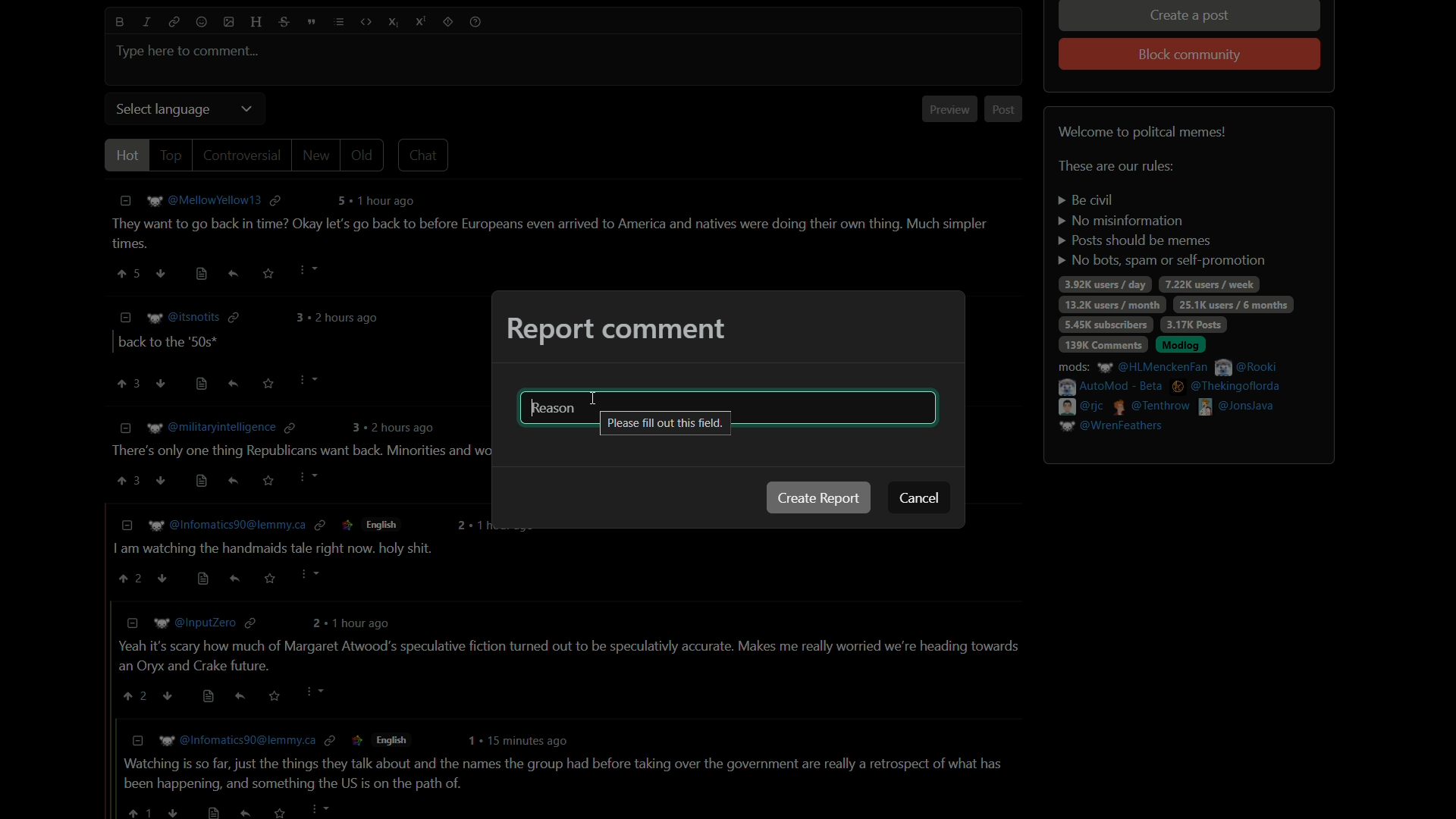  Describe the element at coordinates (193, 318) in the screenshot. I see `username` at that location.